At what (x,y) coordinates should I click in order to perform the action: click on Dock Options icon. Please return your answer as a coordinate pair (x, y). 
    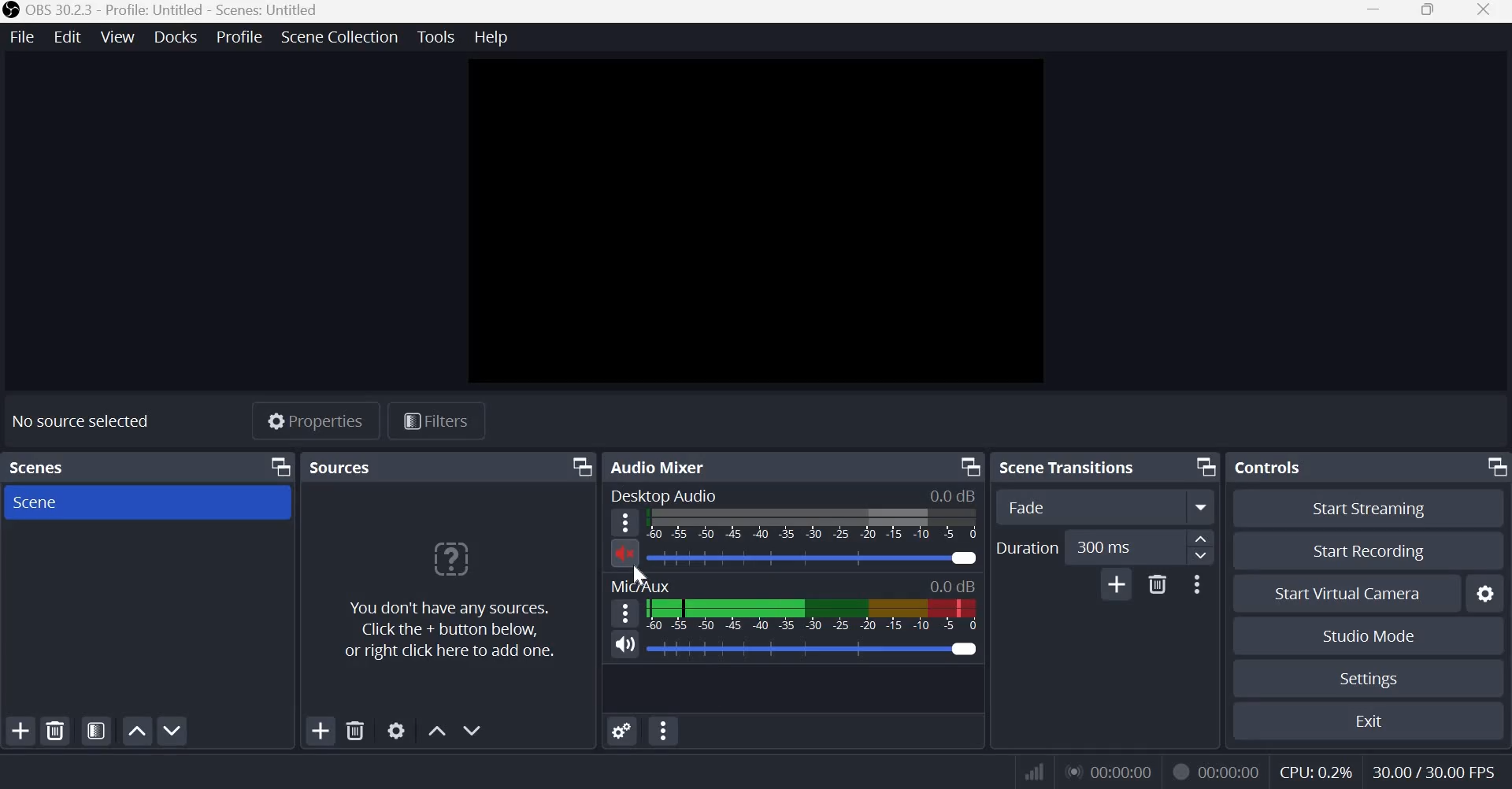
    Looking at the image, I should click on (579, 467).